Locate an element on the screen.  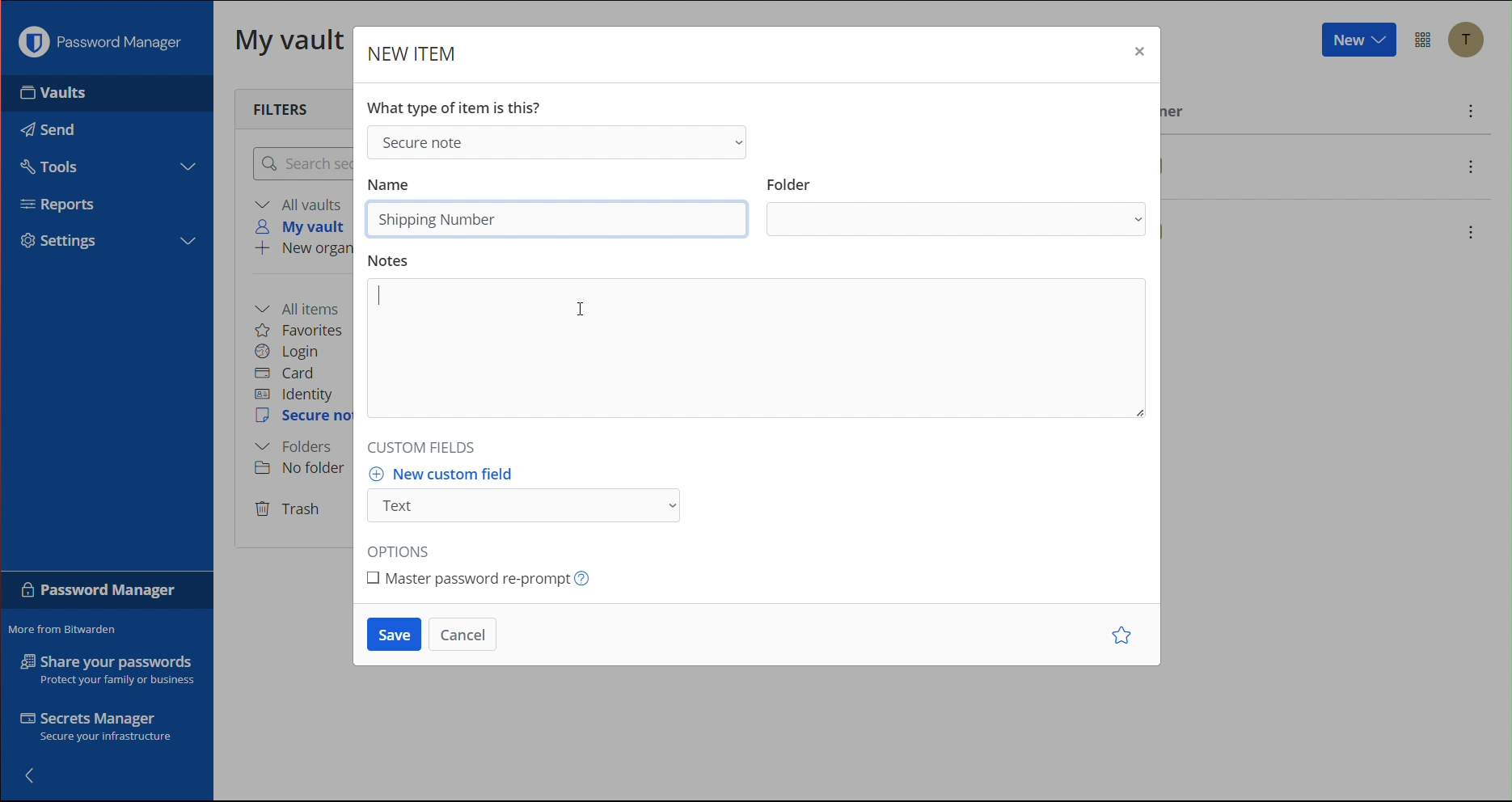
Vaults is located at coordinates (53, 98).